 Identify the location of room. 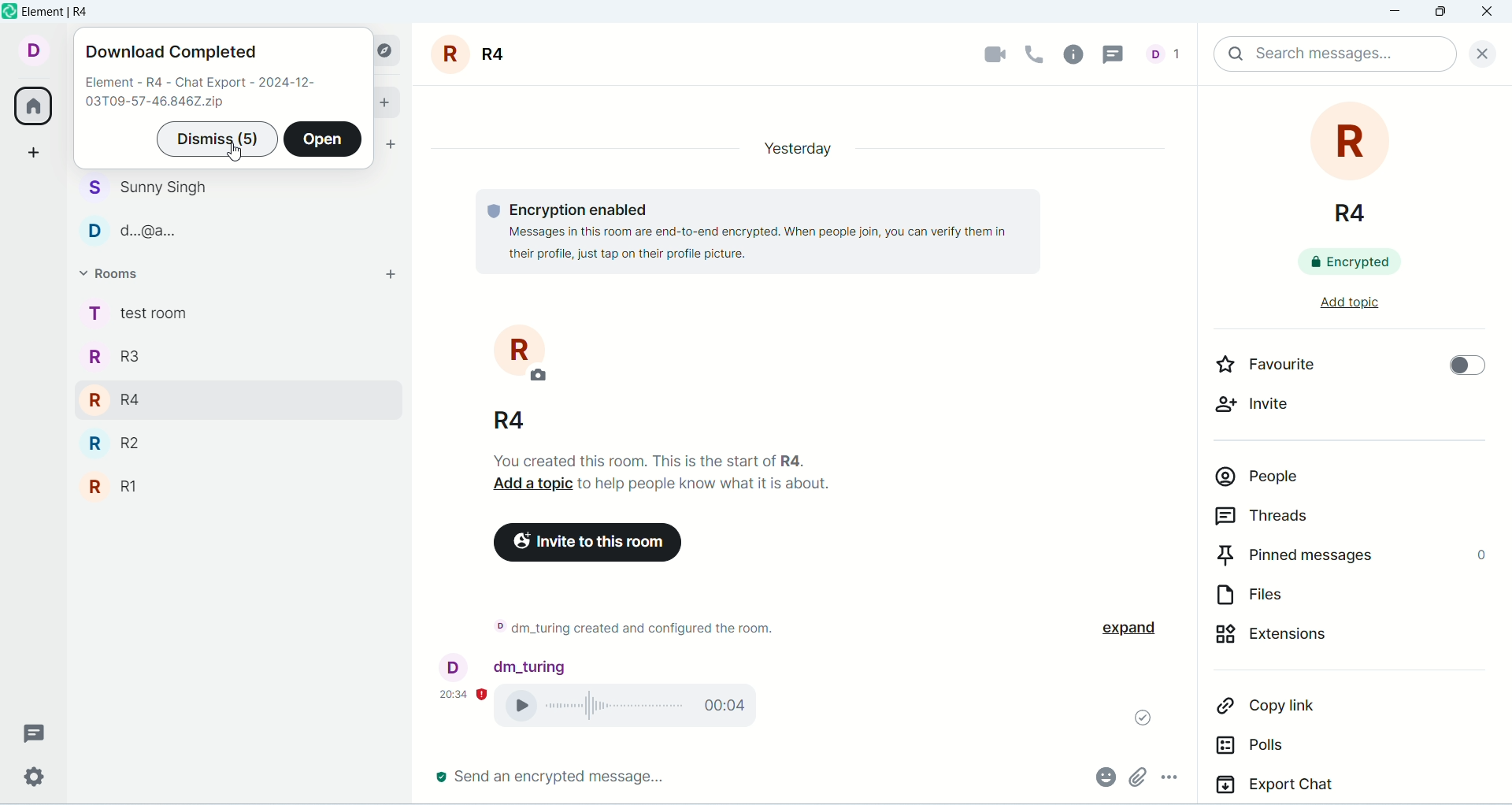
(508, 377).